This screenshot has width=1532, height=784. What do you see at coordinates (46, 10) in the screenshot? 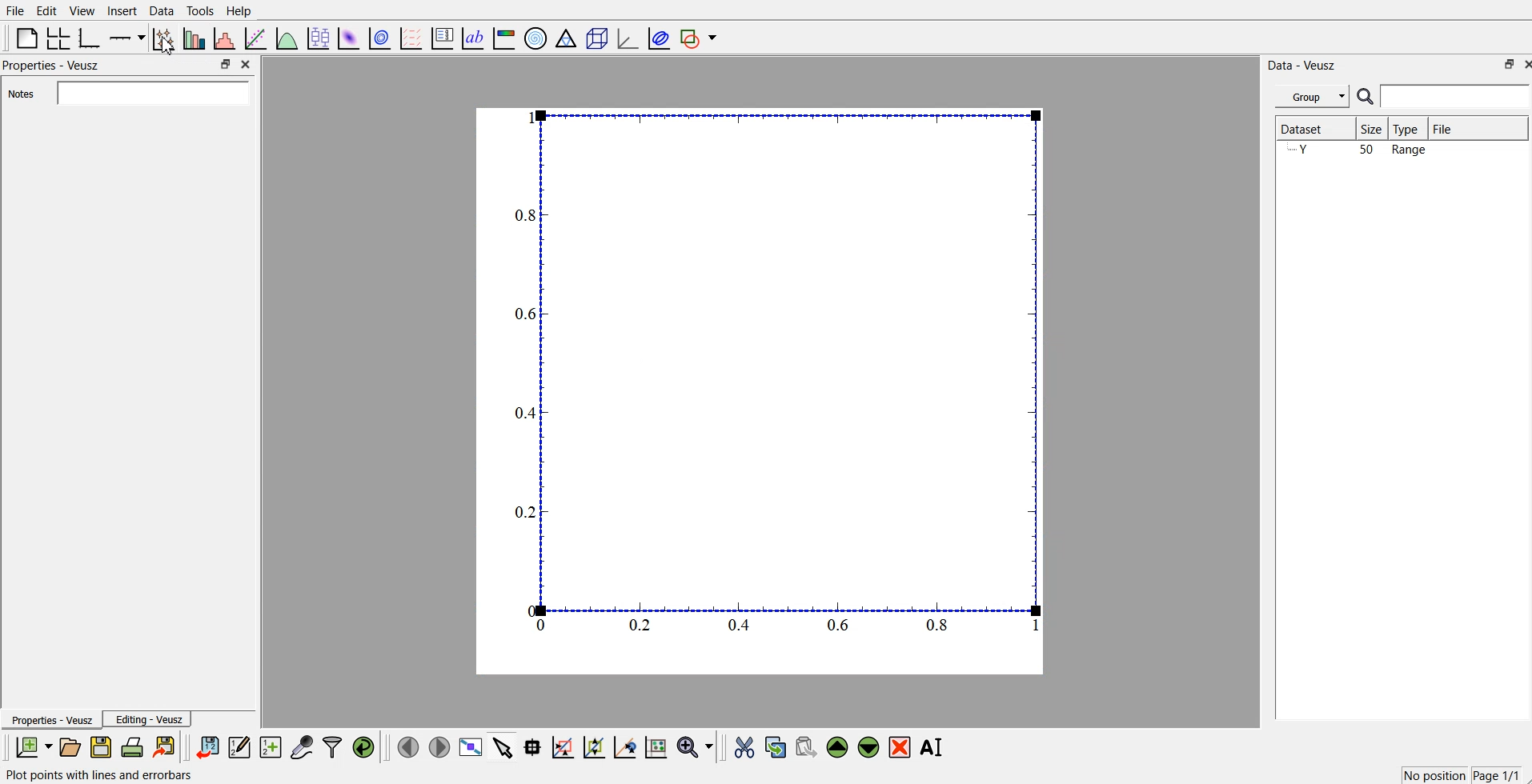
I see `Edit` at bounding box center [46, 10].